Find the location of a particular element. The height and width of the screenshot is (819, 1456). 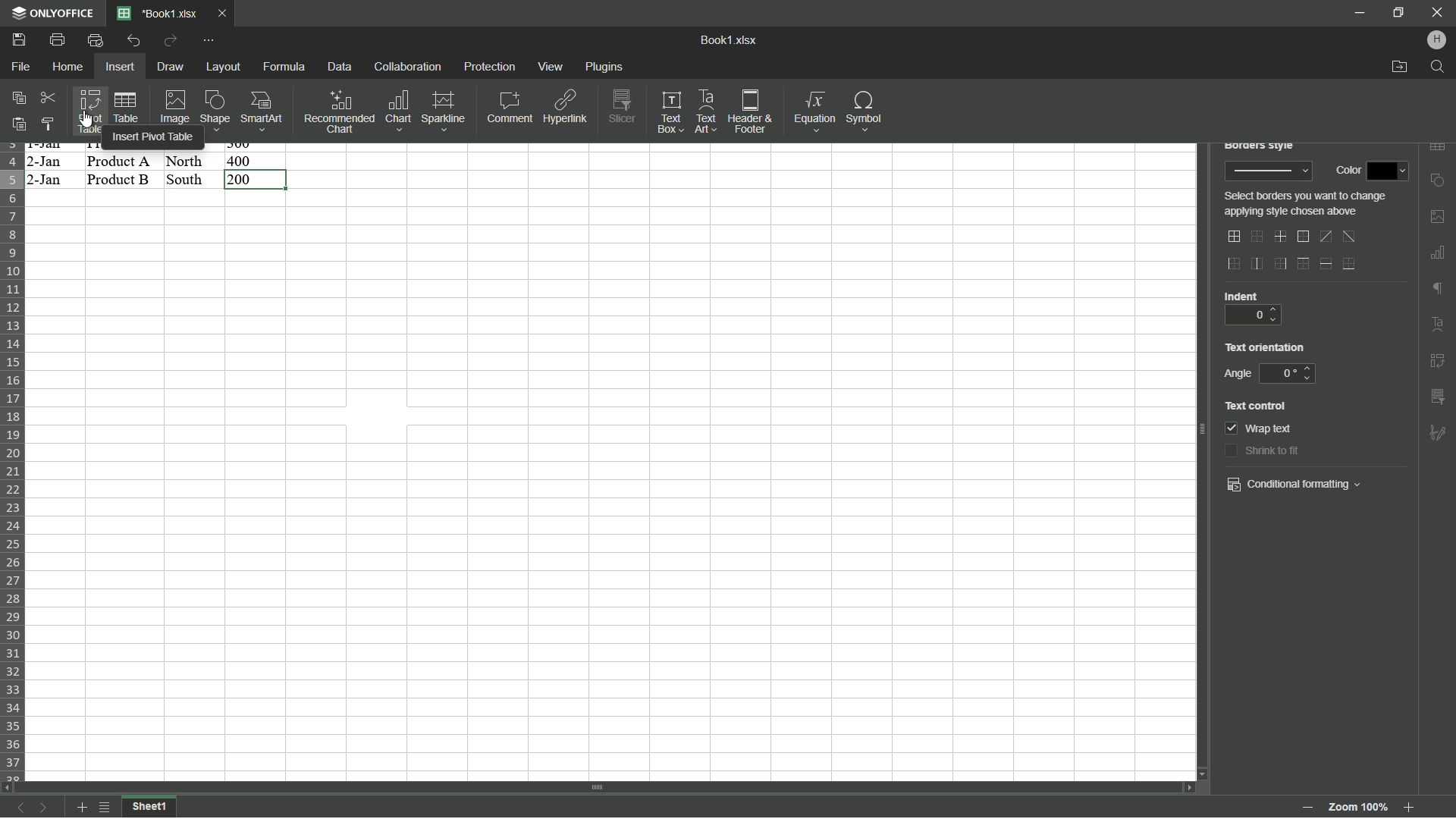

Pivot table is located at coordinates (88, 113).